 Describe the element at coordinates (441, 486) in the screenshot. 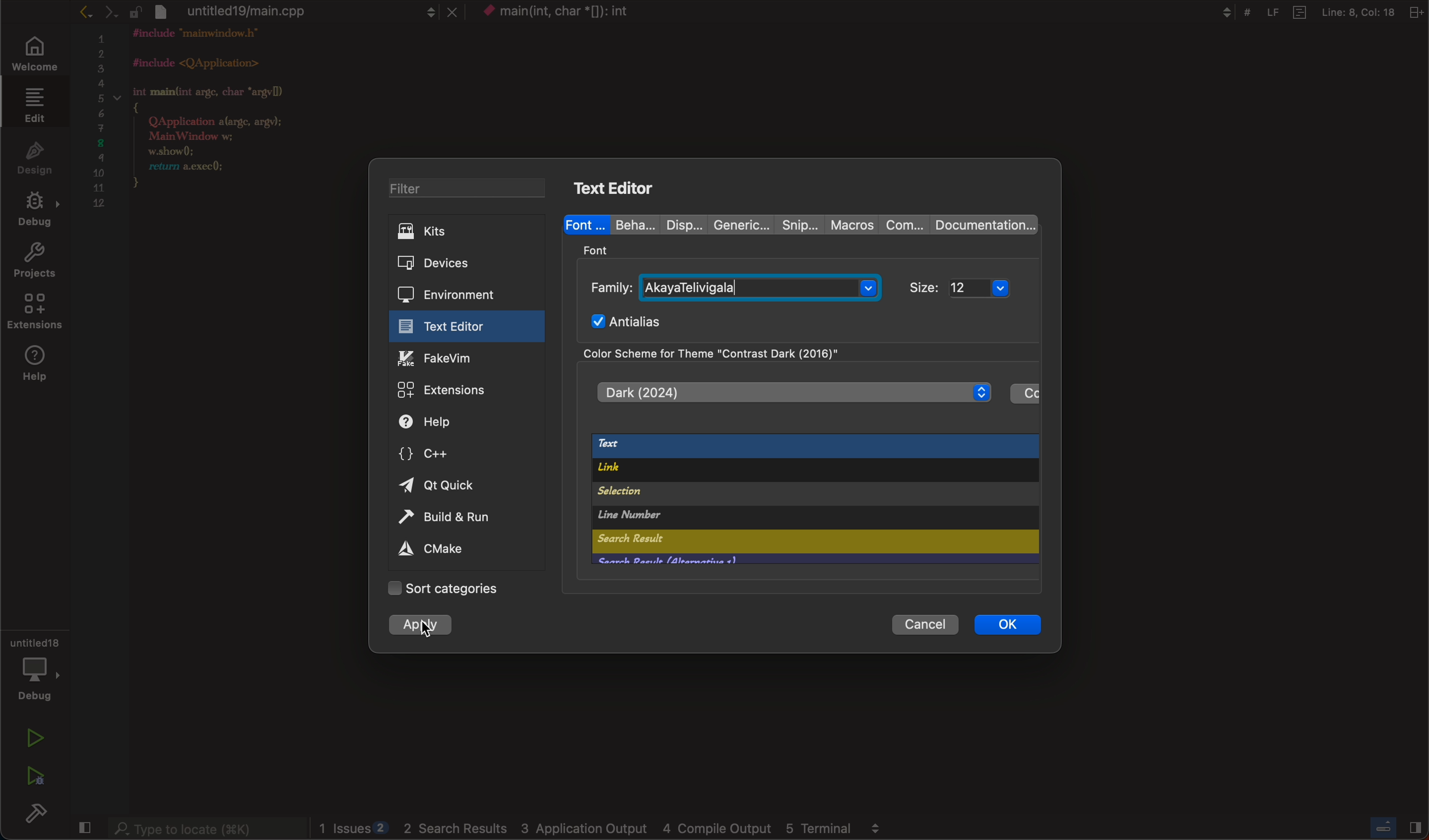

I see `quick` at that location.